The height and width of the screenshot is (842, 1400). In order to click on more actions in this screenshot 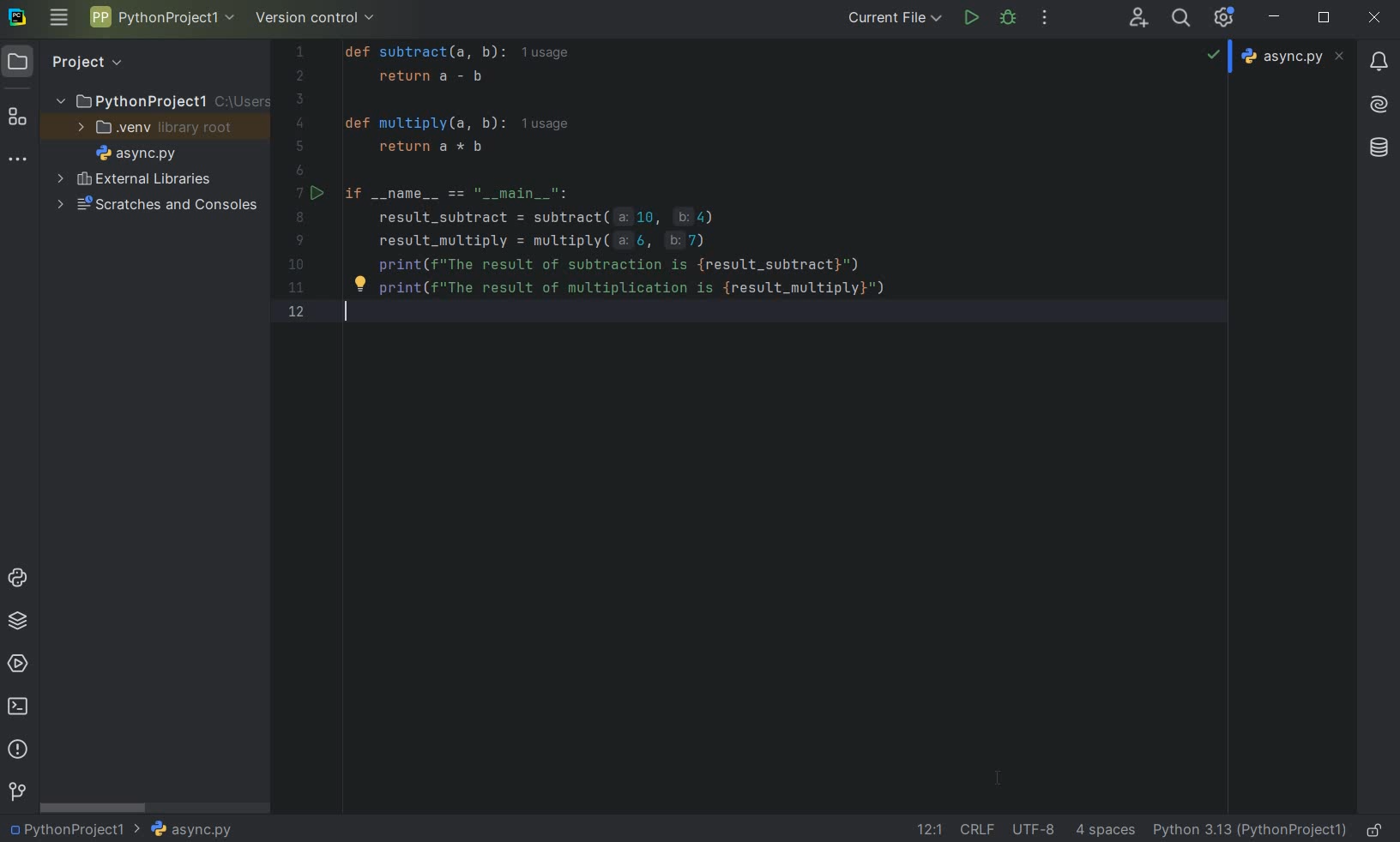, I will do `click(1044, 19)`.